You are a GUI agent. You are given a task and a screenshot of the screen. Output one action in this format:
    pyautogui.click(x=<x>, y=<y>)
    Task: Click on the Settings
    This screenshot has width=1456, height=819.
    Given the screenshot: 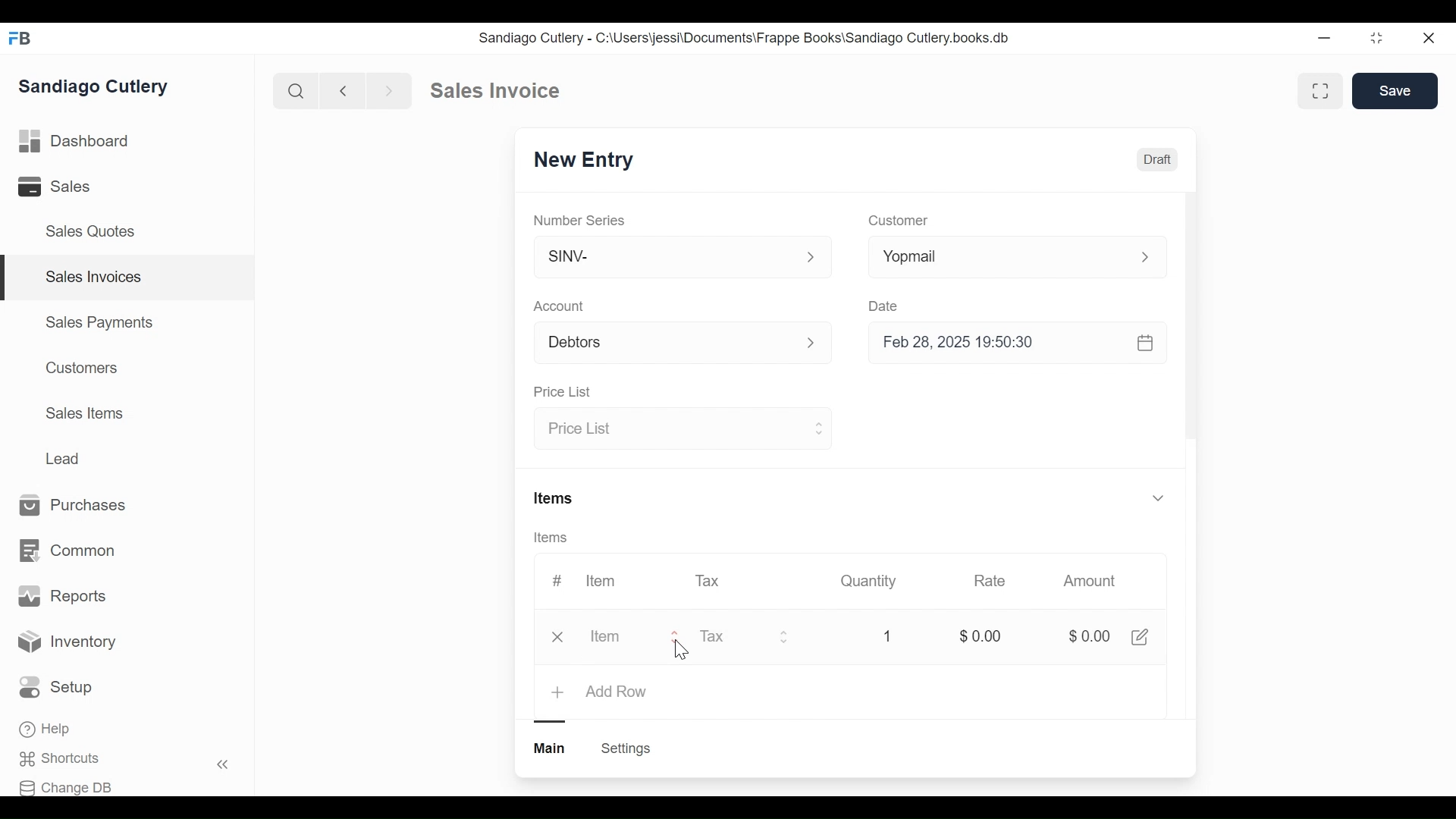 What is the action you would take?
    pyautogui.click(x=628, y=748)
    